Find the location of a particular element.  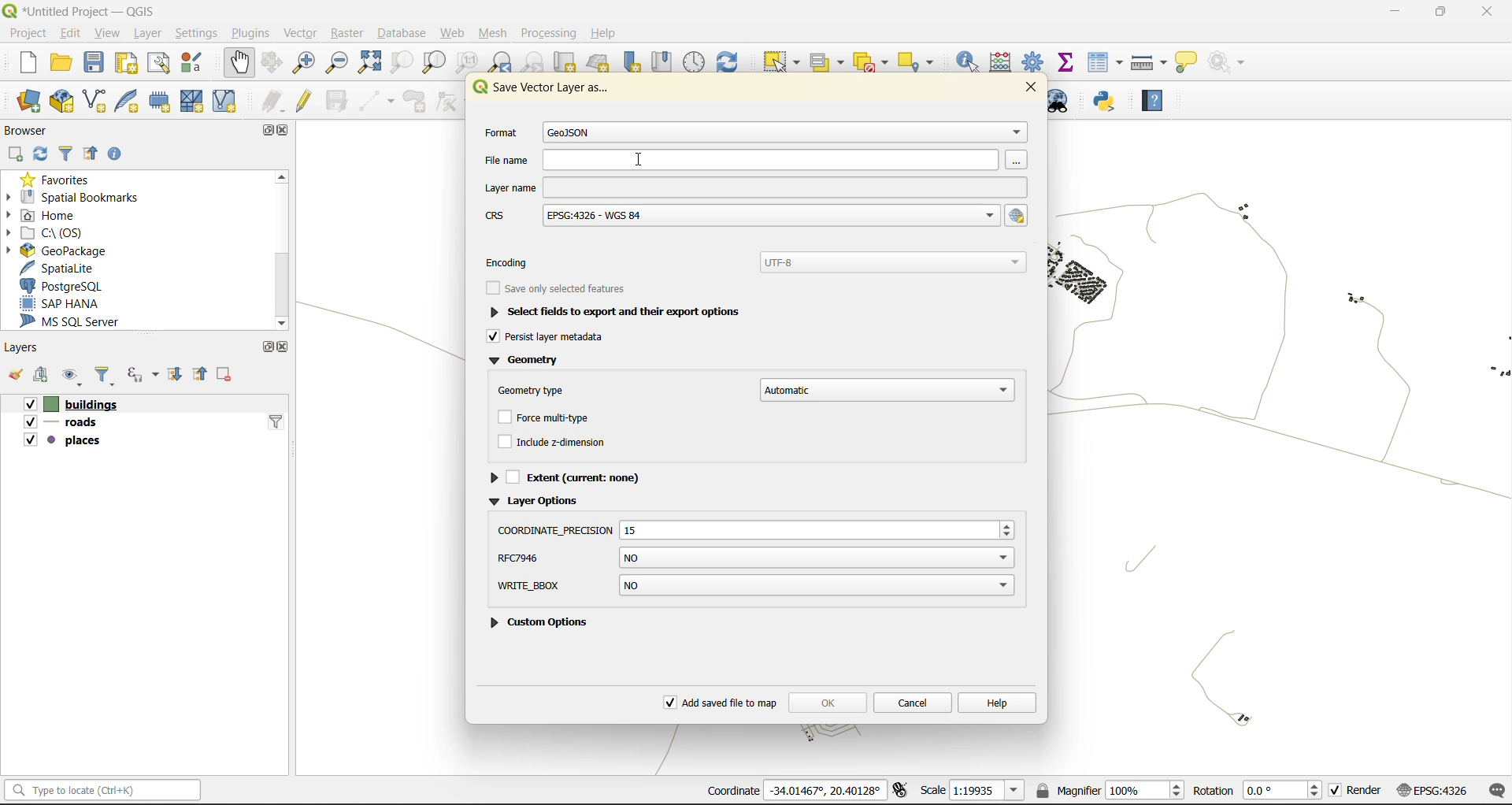

Service Vector layer is located at coordinates (540, 92).